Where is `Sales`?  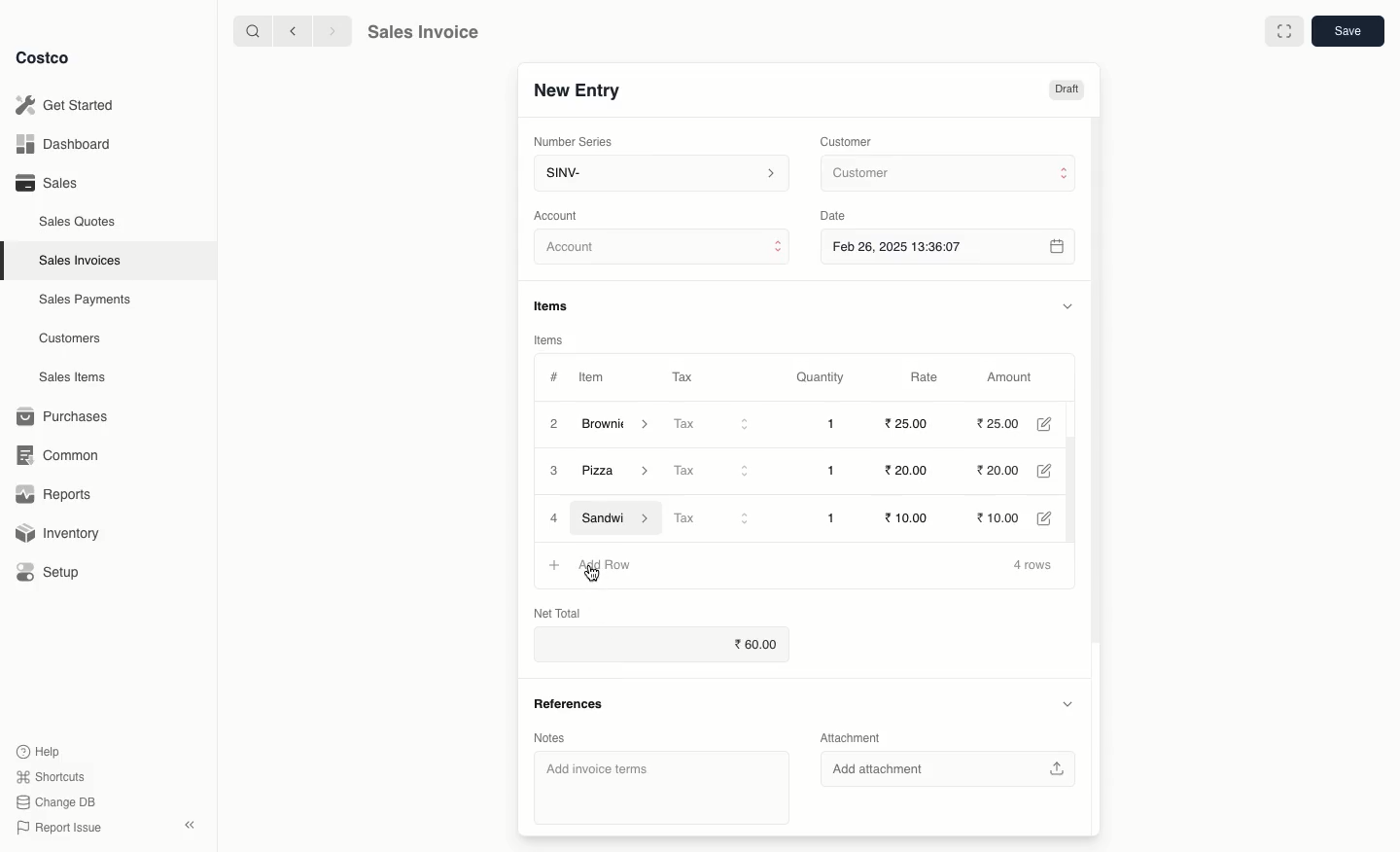
Sales is located at coordinates (46, 183).